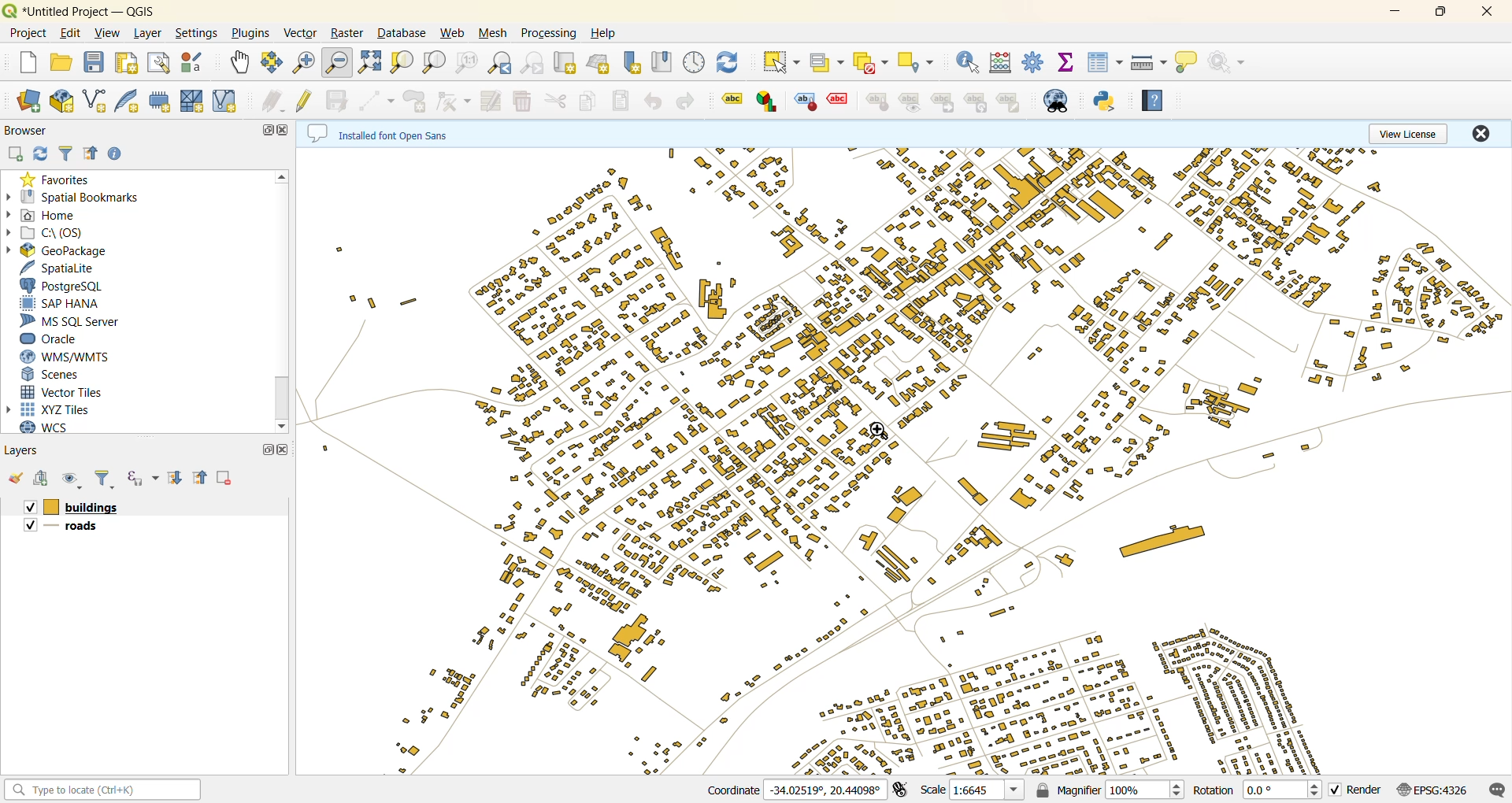 This screenshot has height=803, width=1512. Describe the element at coordinates (105, 791) in the screenshot. I see `status bar` at that location.